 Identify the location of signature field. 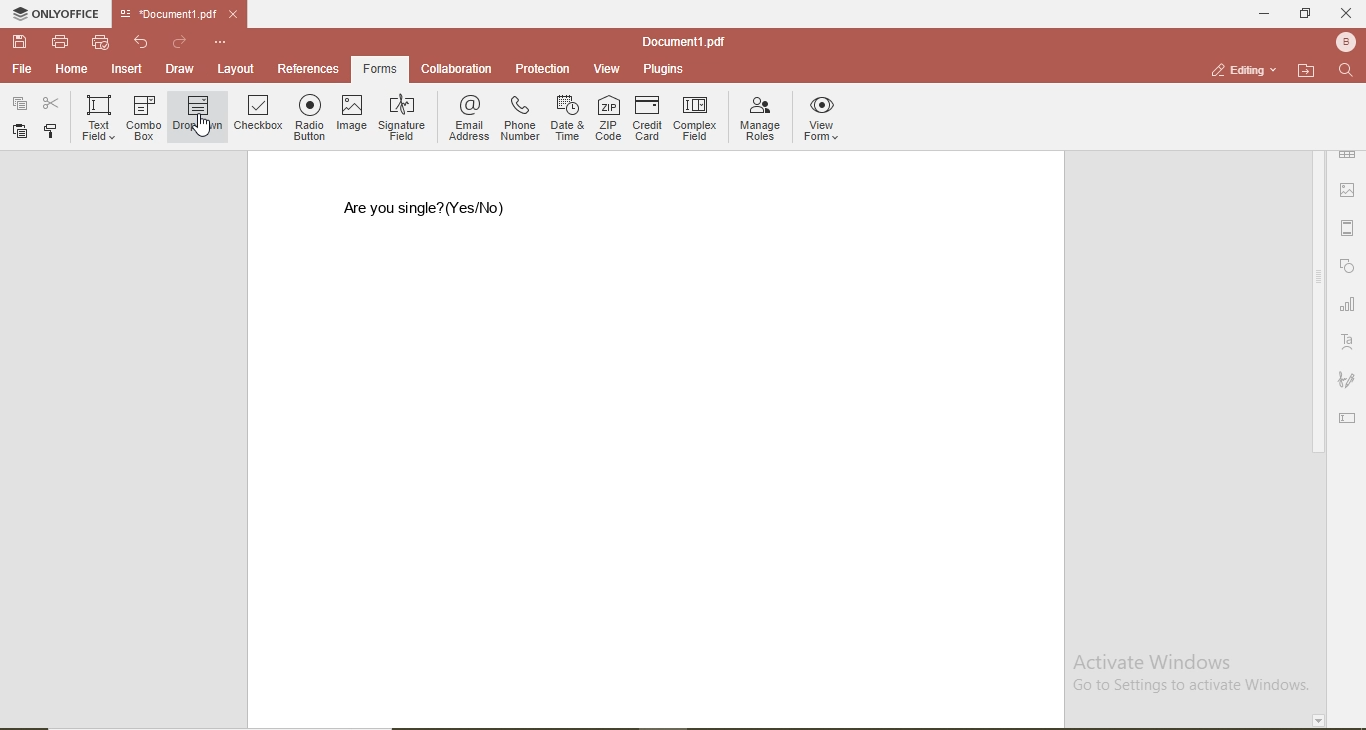
(401, 114).